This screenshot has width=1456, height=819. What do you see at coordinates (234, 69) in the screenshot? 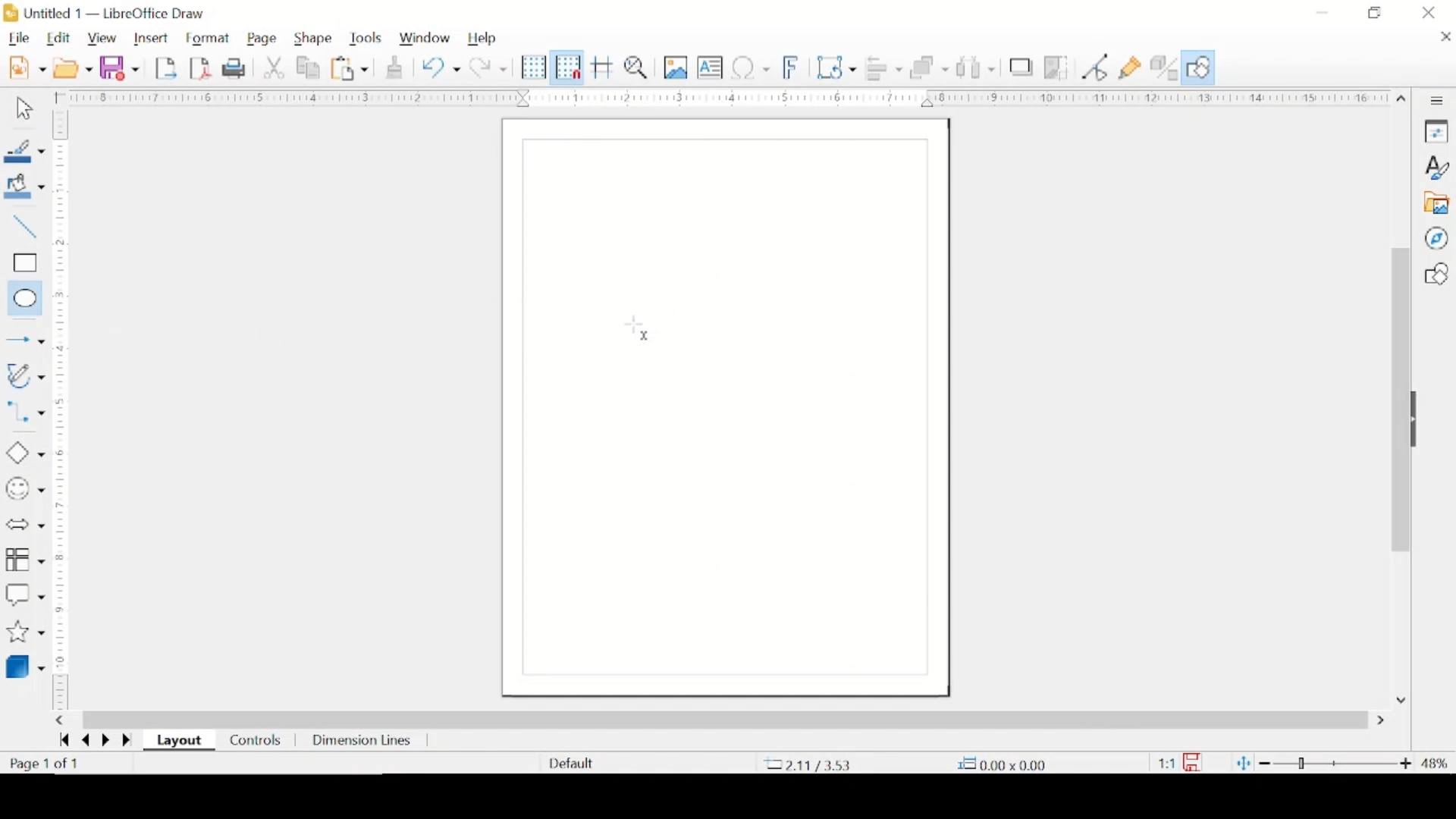
I see `print` at bounding box center [234, 69].